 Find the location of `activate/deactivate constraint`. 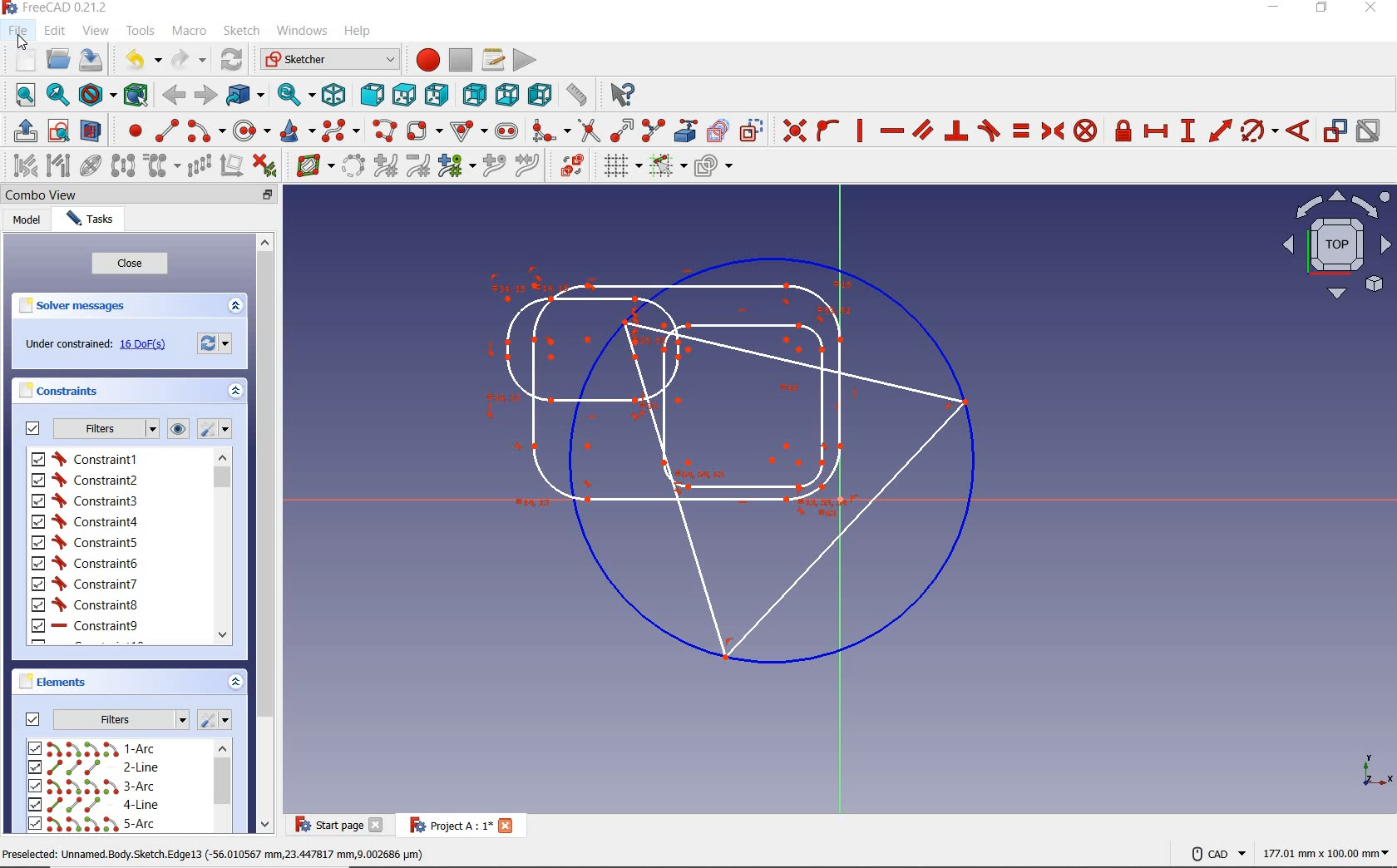

activate/deactivate constraint is located at coordinates (1370, 134).